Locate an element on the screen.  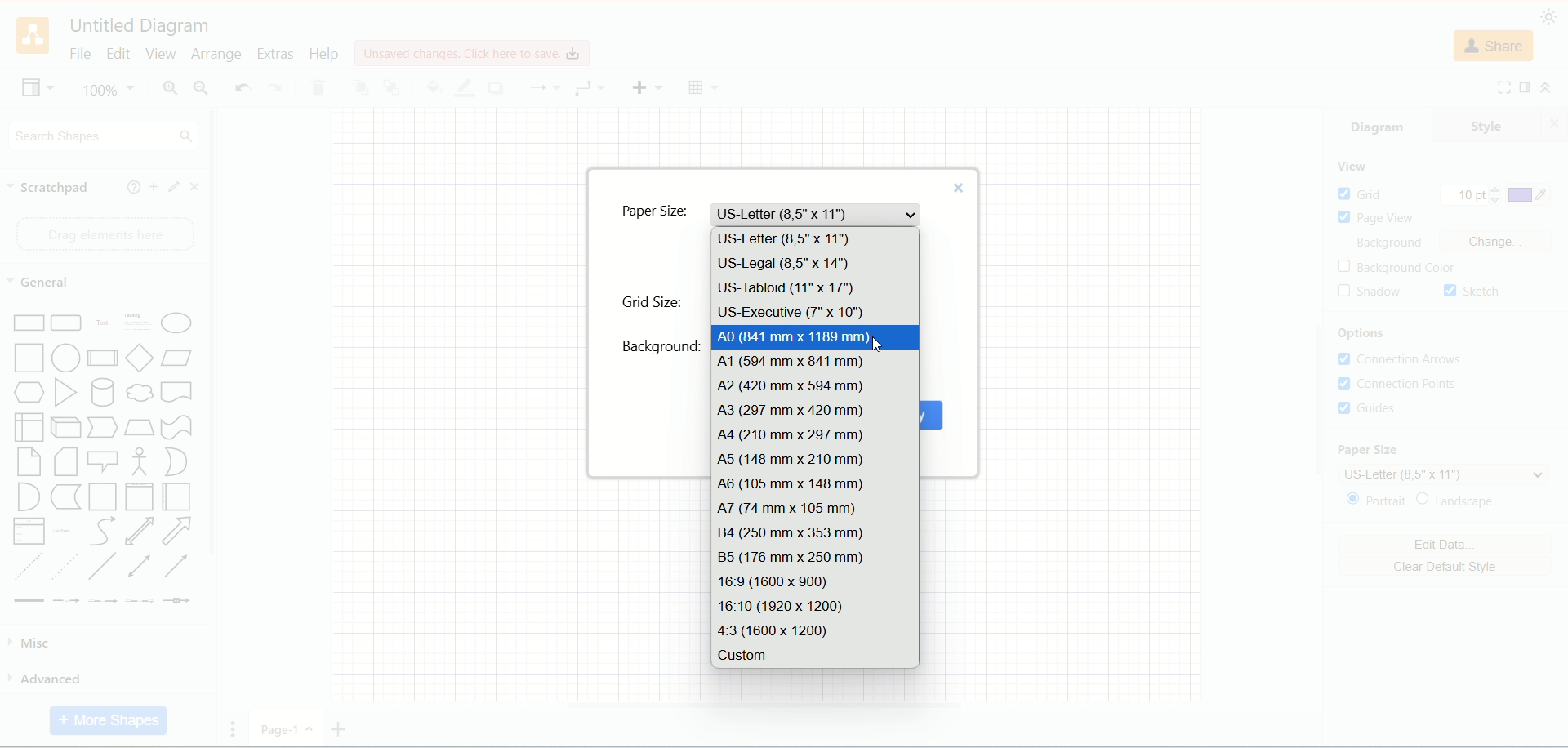
US-Letter is located at coordinates (814, 238).